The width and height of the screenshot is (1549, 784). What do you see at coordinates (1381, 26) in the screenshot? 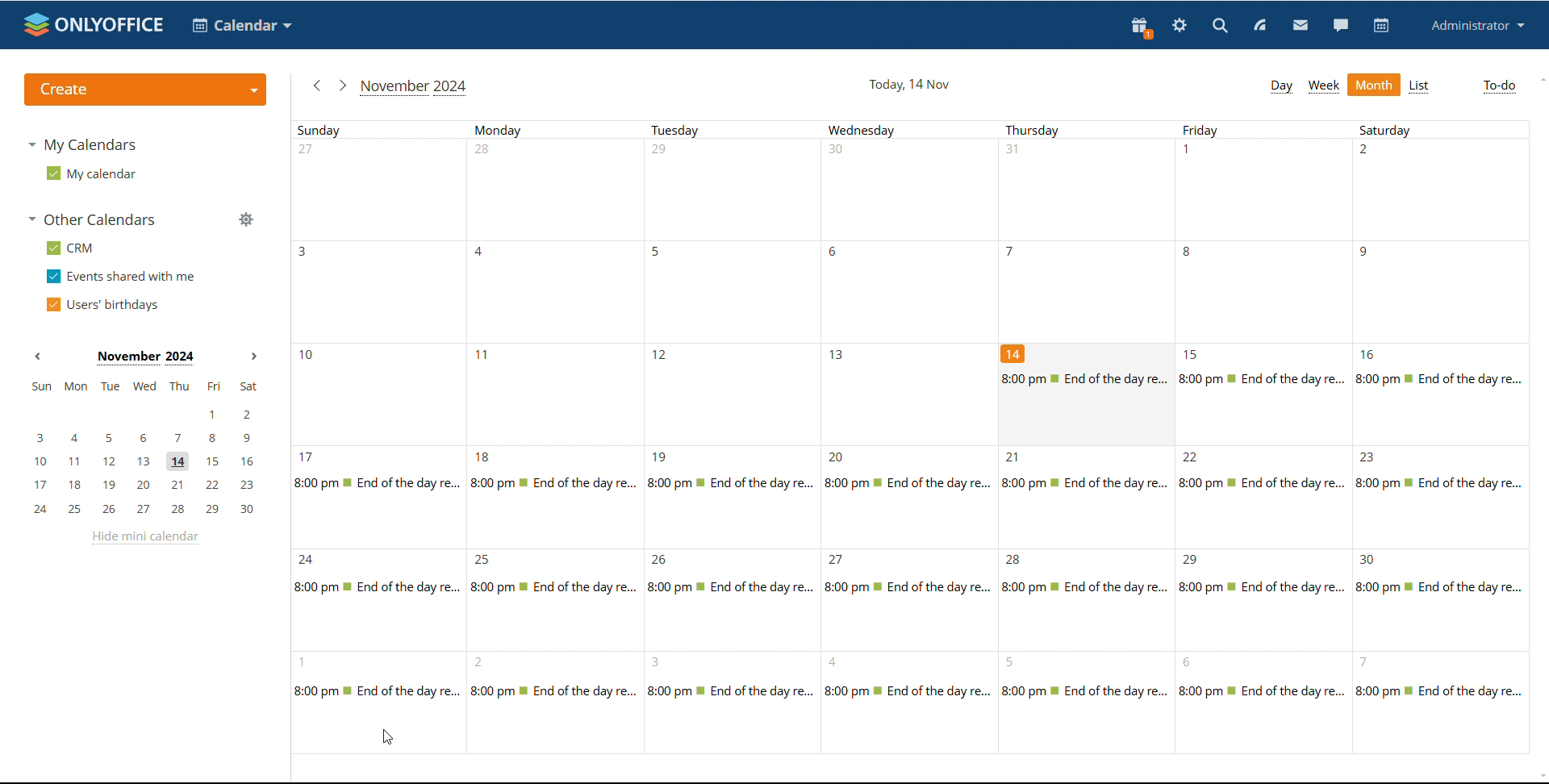
I see `calendar` at bounding box center [1381, 26].